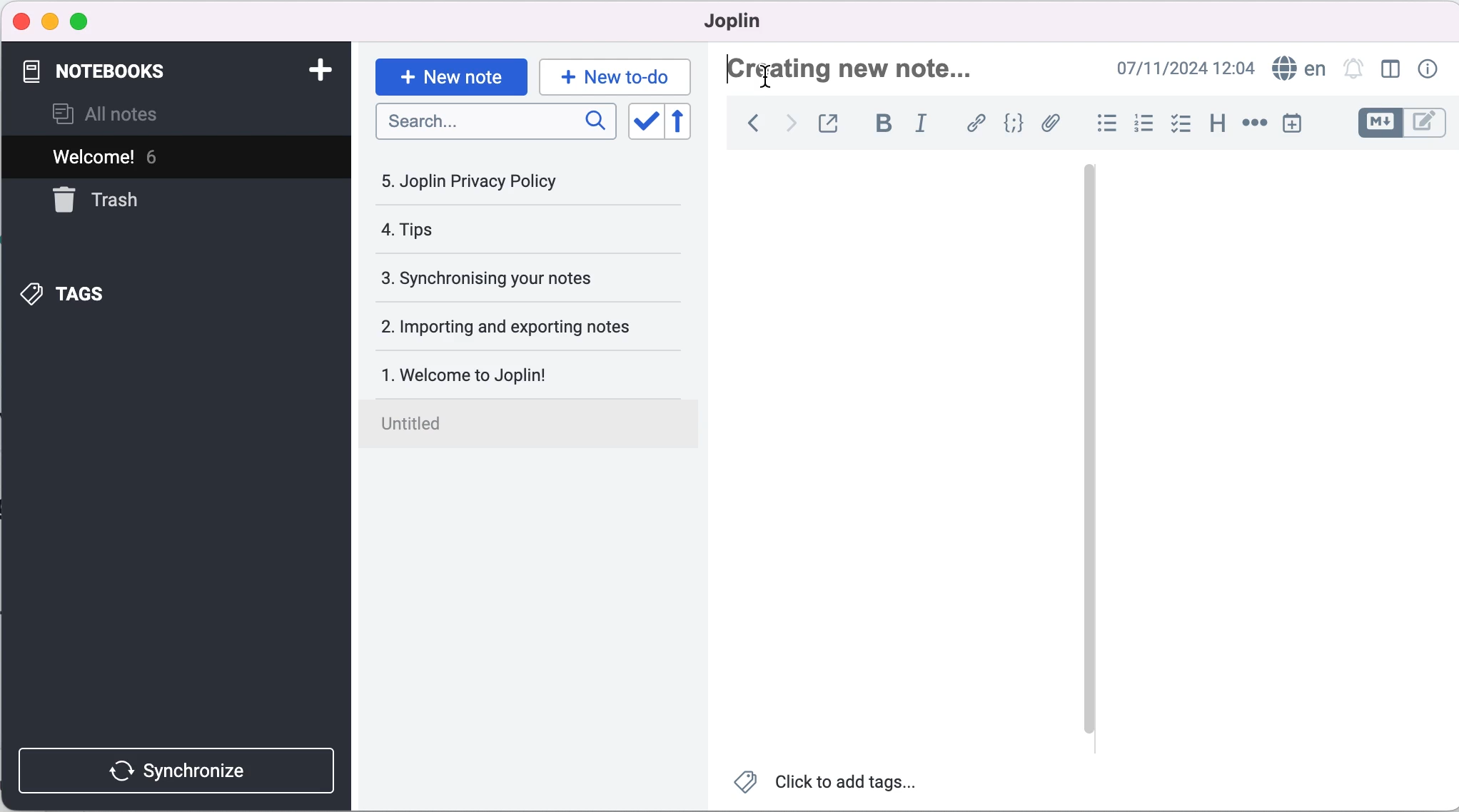 The image size is (1459, 812). I want to click on search, so click(495, 121).